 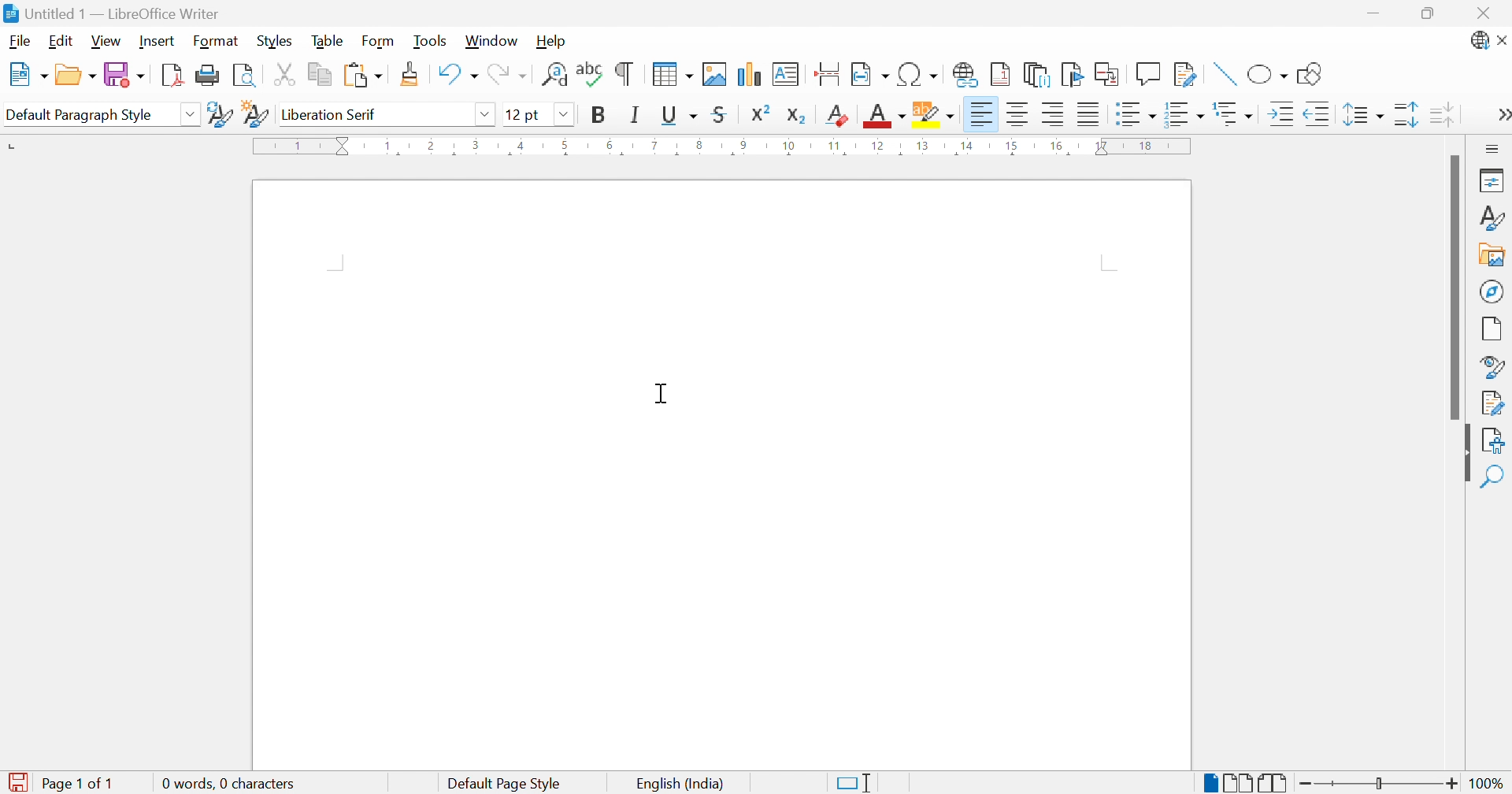 I want to click on Scroll bar, so click(x=1453, y=288).